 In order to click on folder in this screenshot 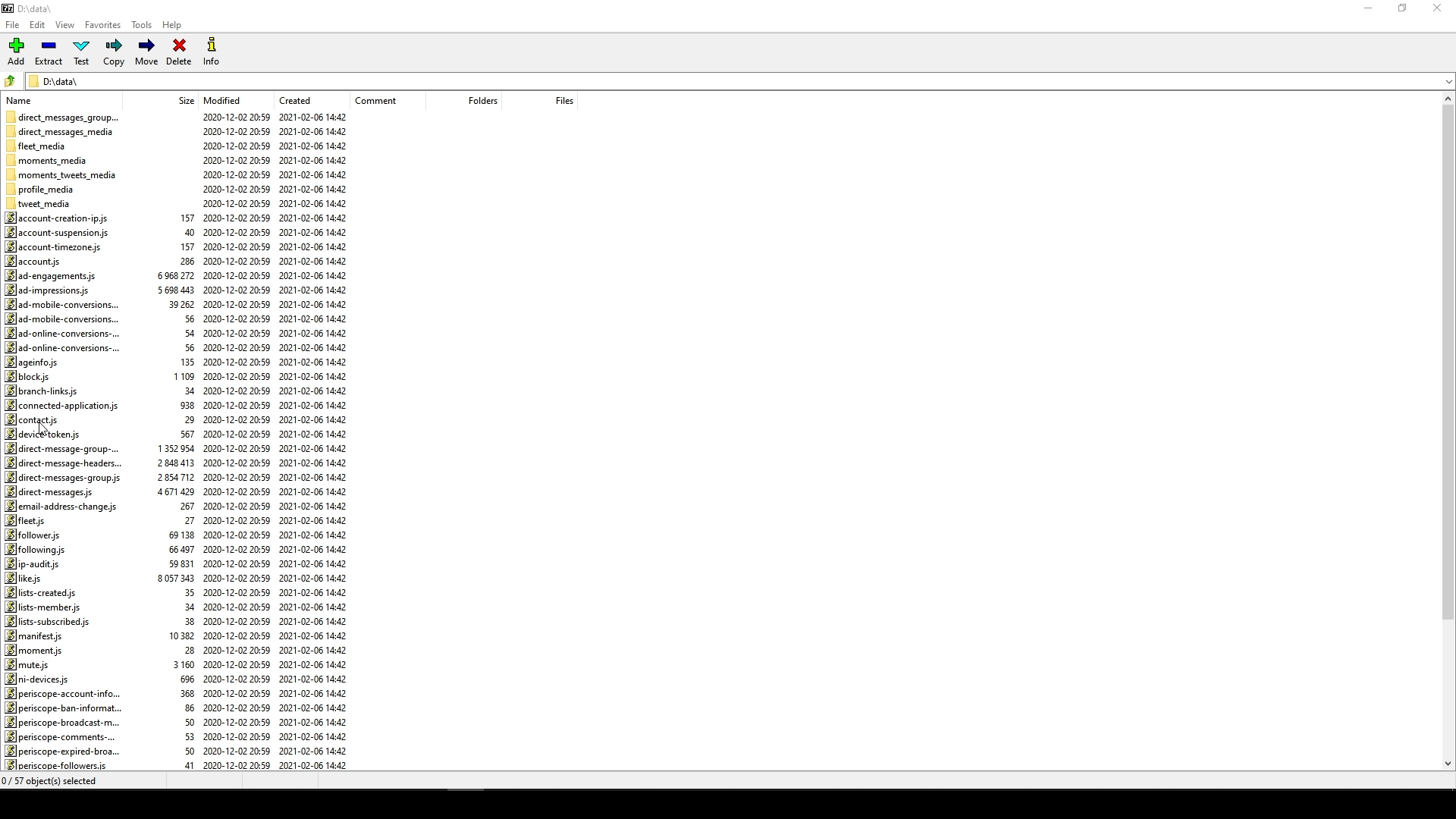, I will do `click(11, 79)`.